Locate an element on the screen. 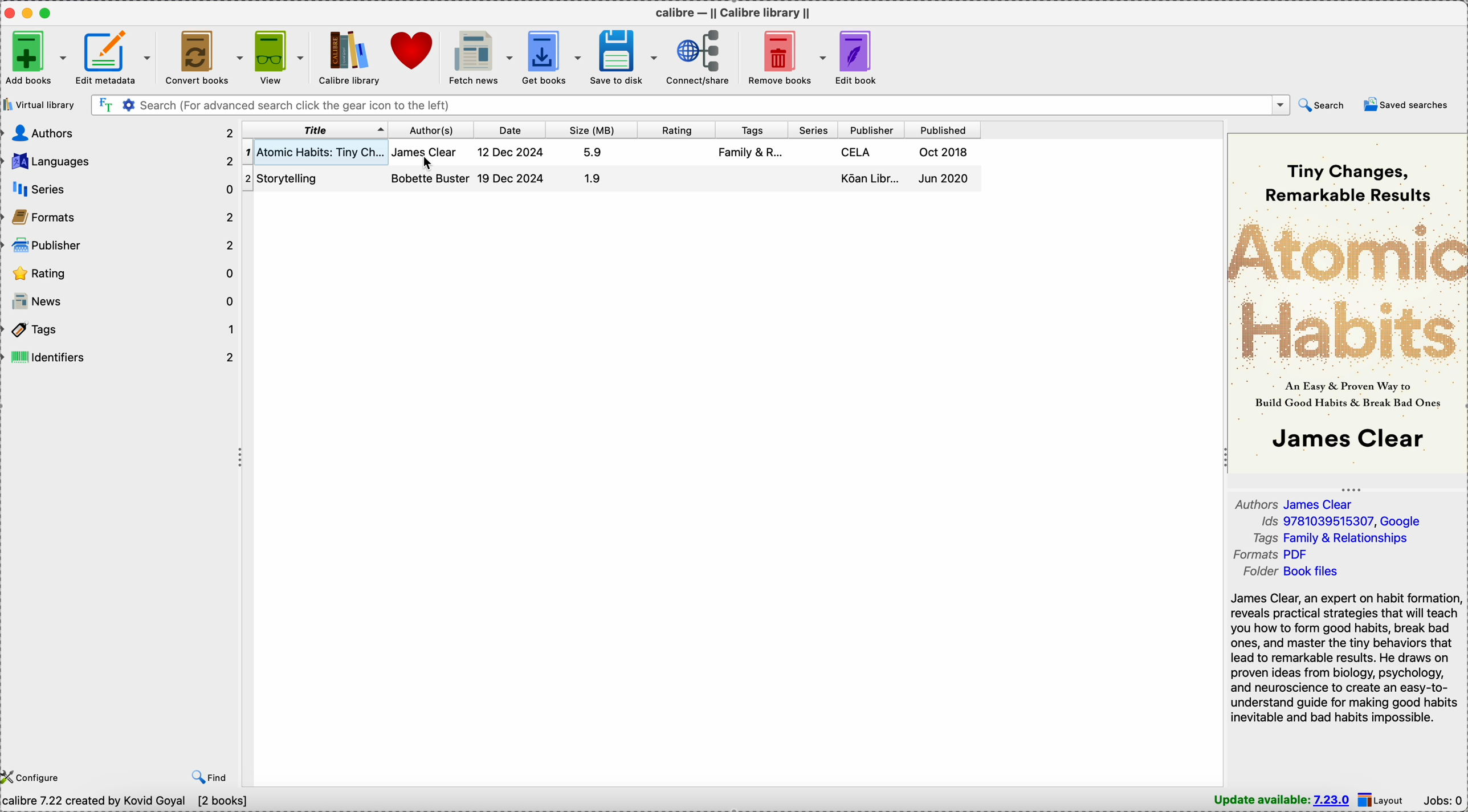 This screenshot has width=1468, height=812. Storytelling book details is located at coordinates (610, 181).